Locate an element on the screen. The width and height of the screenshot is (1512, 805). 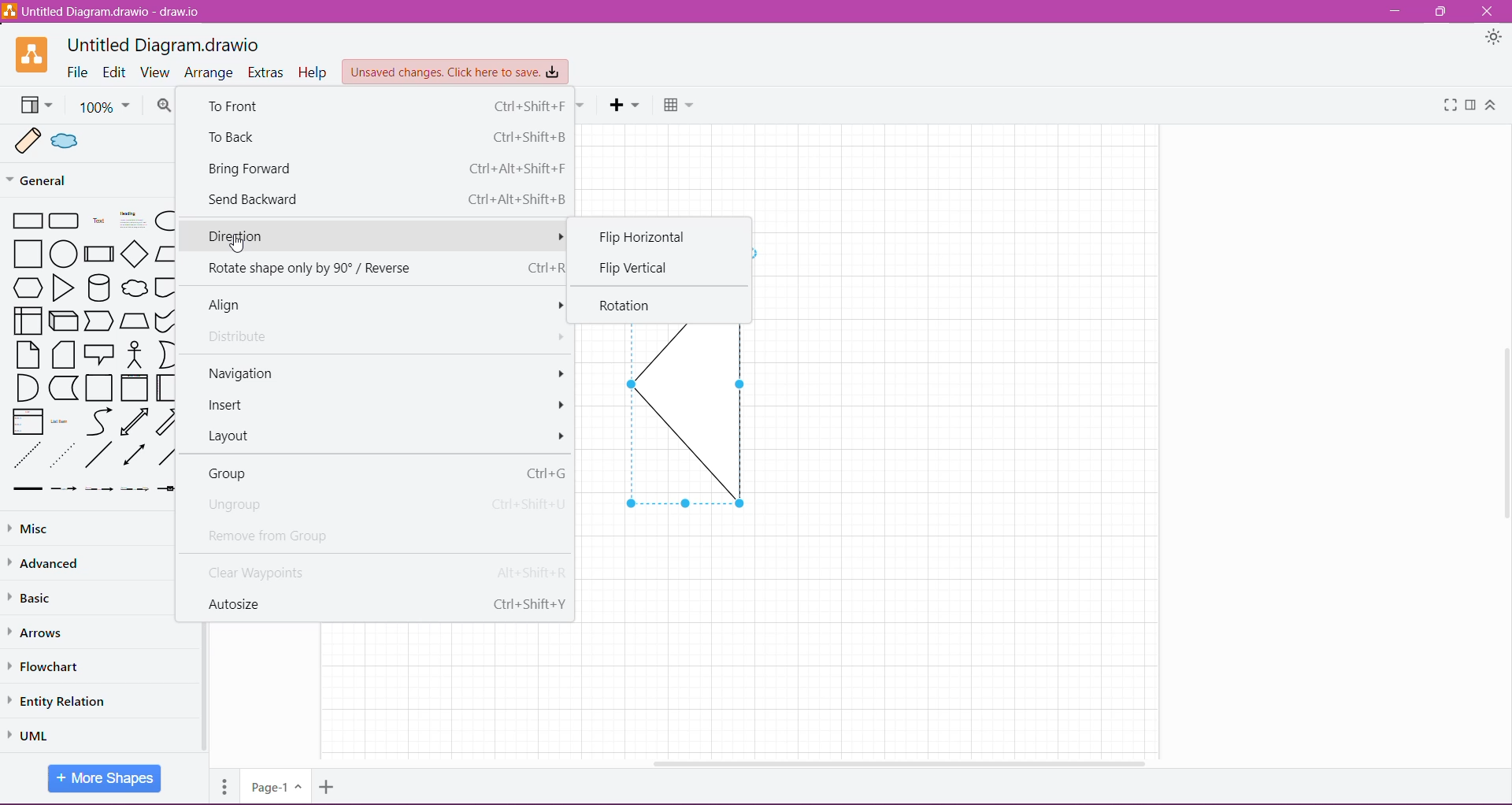
Flowchart is located at coordinates (45, 667).